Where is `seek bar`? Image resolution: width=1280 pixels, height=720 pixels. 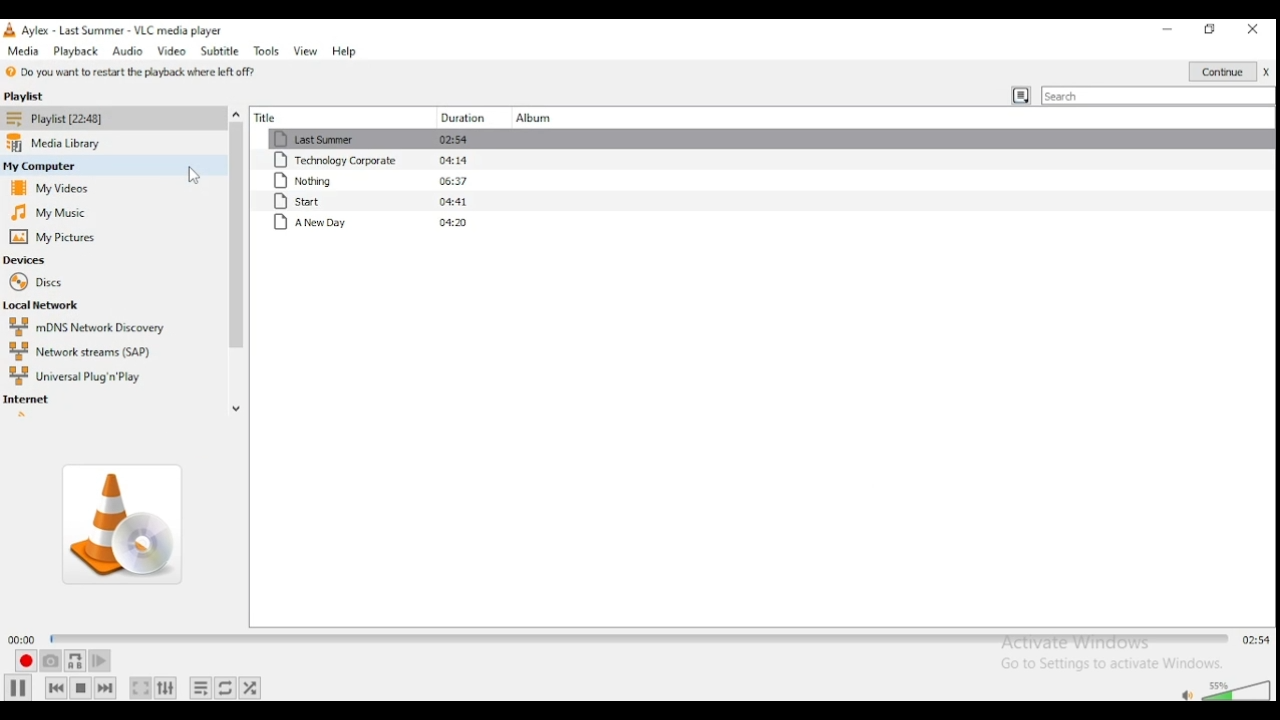 seek bar is located at coordinates (638, 639).